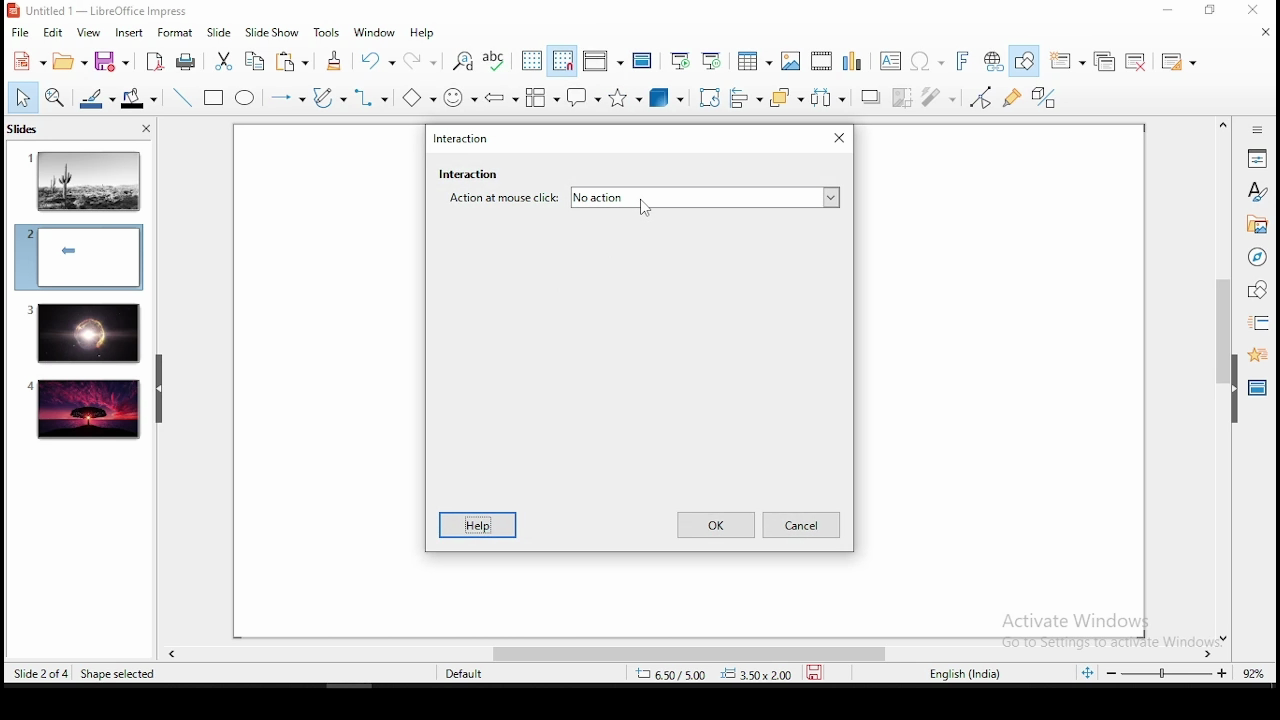 The image size is (1280, 720). What do you see at coordinates (641, 191) in the screenshot?
I see `Interaction` at bounding box center [641, 191].